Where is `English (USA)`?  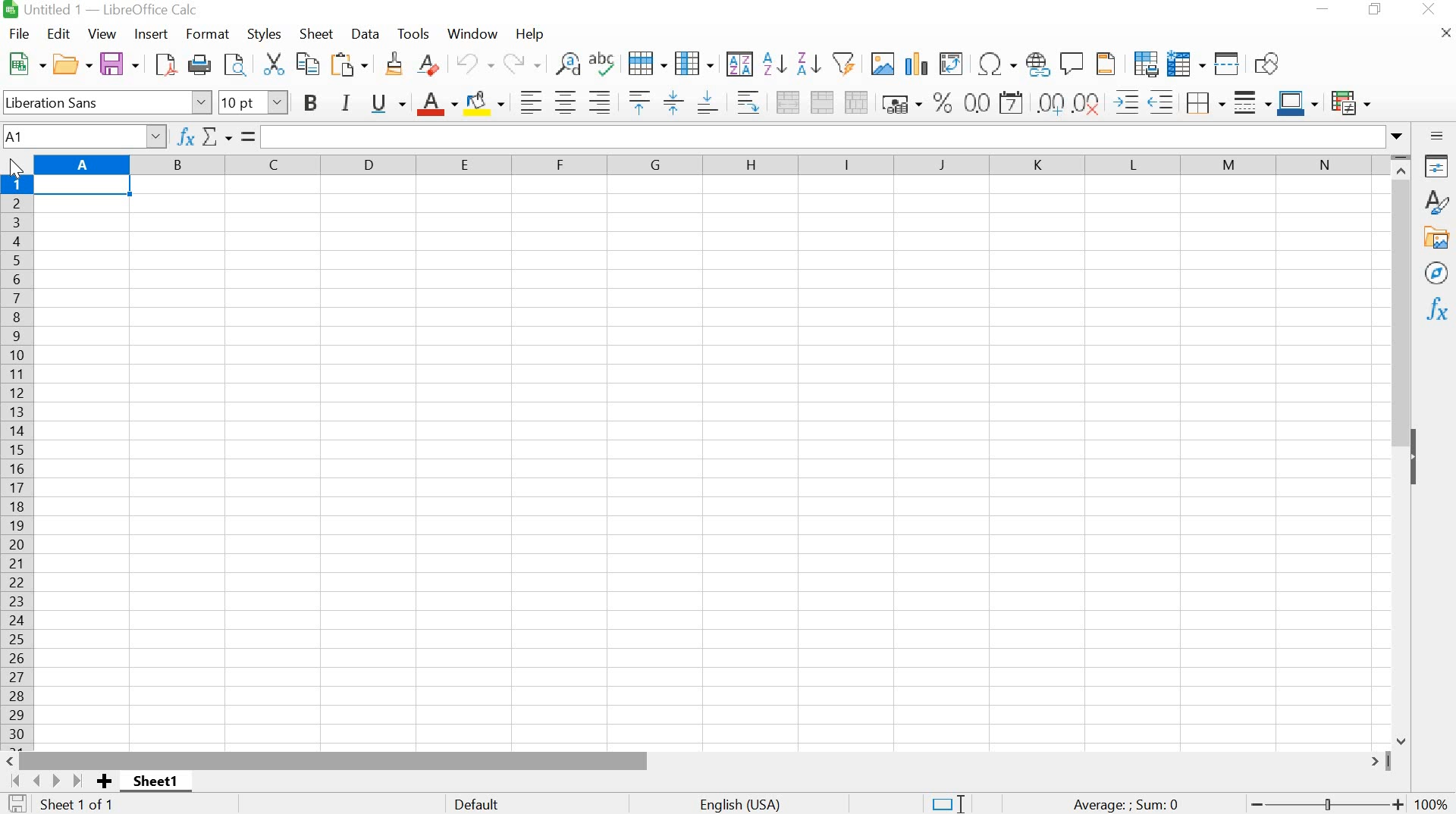 English (USA) is located at coordinates (736, 803).